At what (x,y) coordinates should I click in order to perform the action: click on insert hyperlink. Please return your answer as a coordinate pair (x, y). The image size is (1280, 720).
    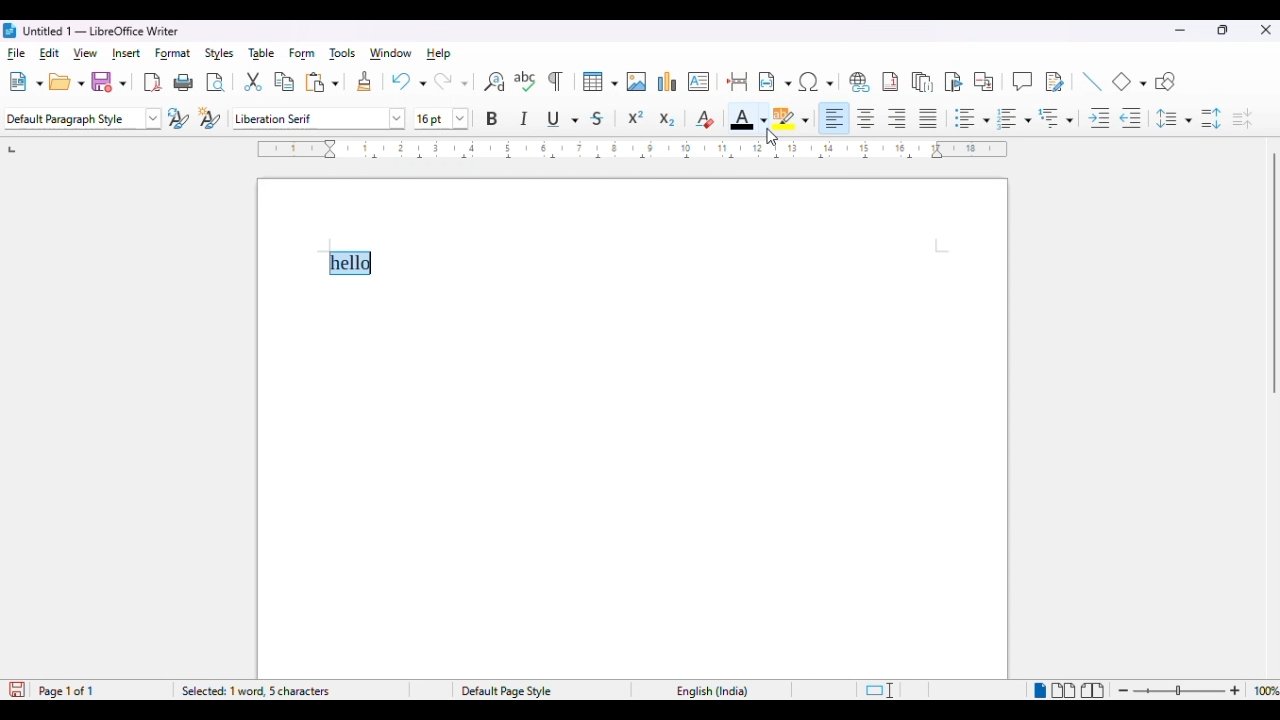
    Looking at the image, I should click on (858, 82).